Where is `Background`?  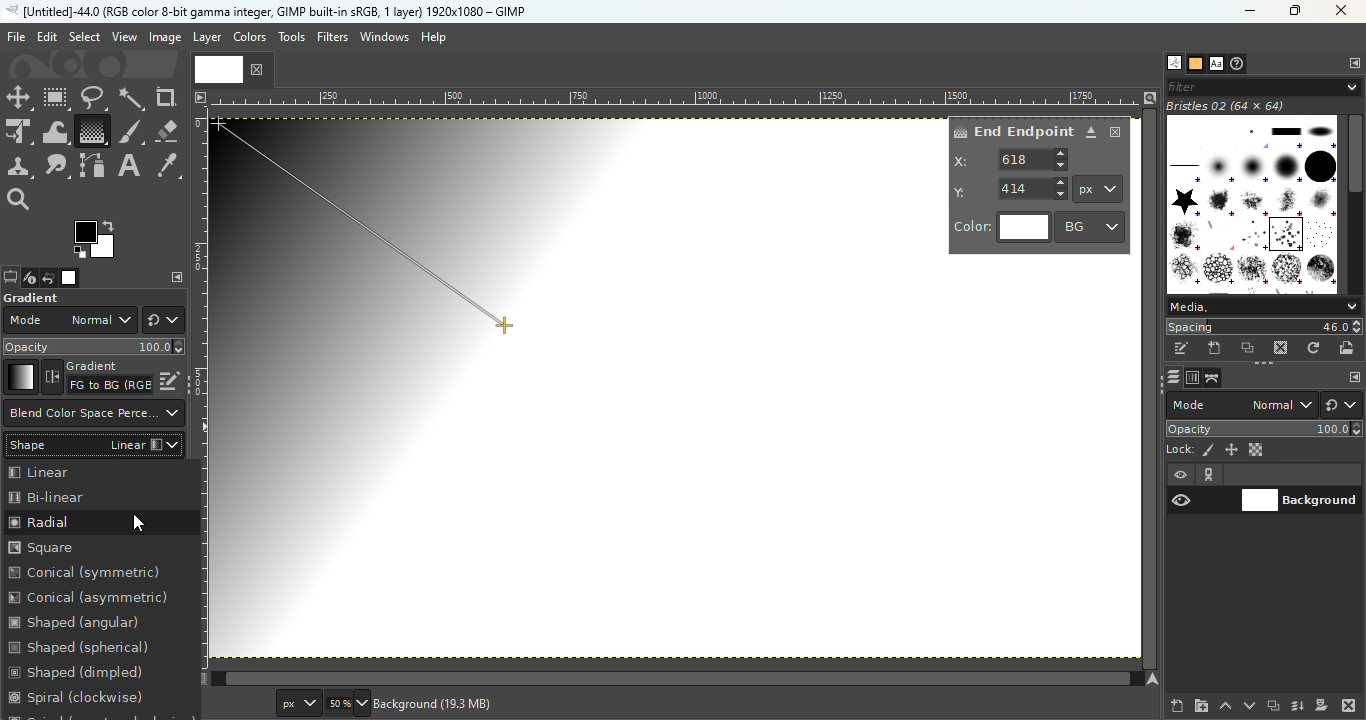 Background is located at coordinates (1300, 498).